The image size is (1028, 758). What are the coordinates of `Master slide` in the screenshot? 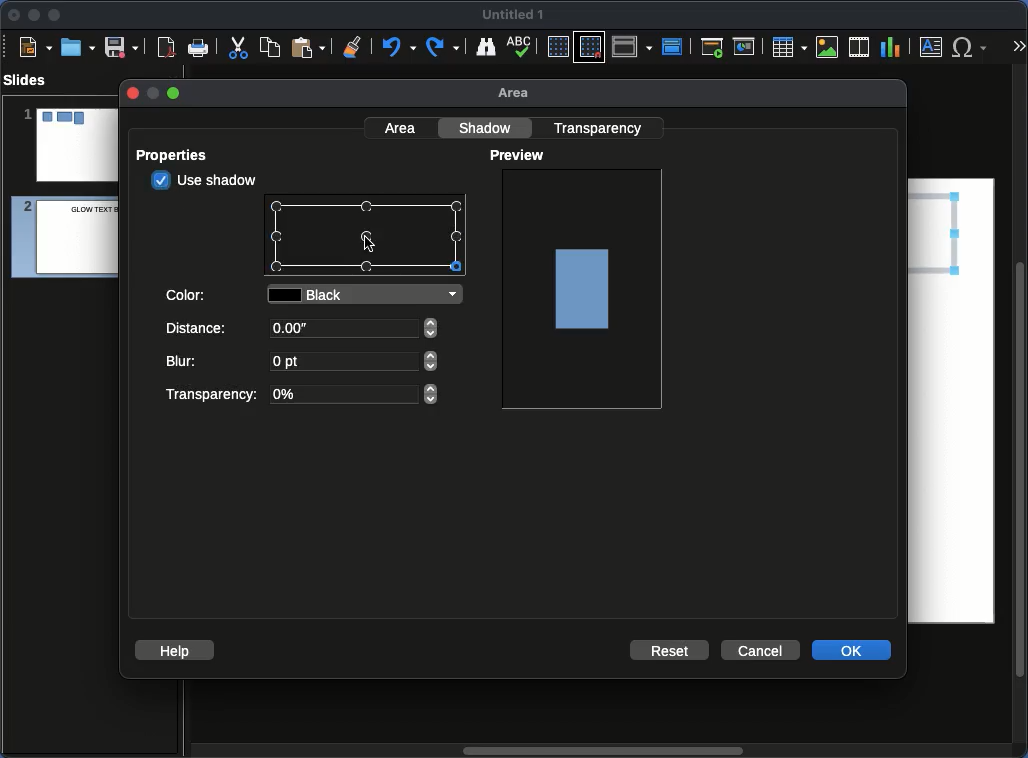 It's located at (675, 46).